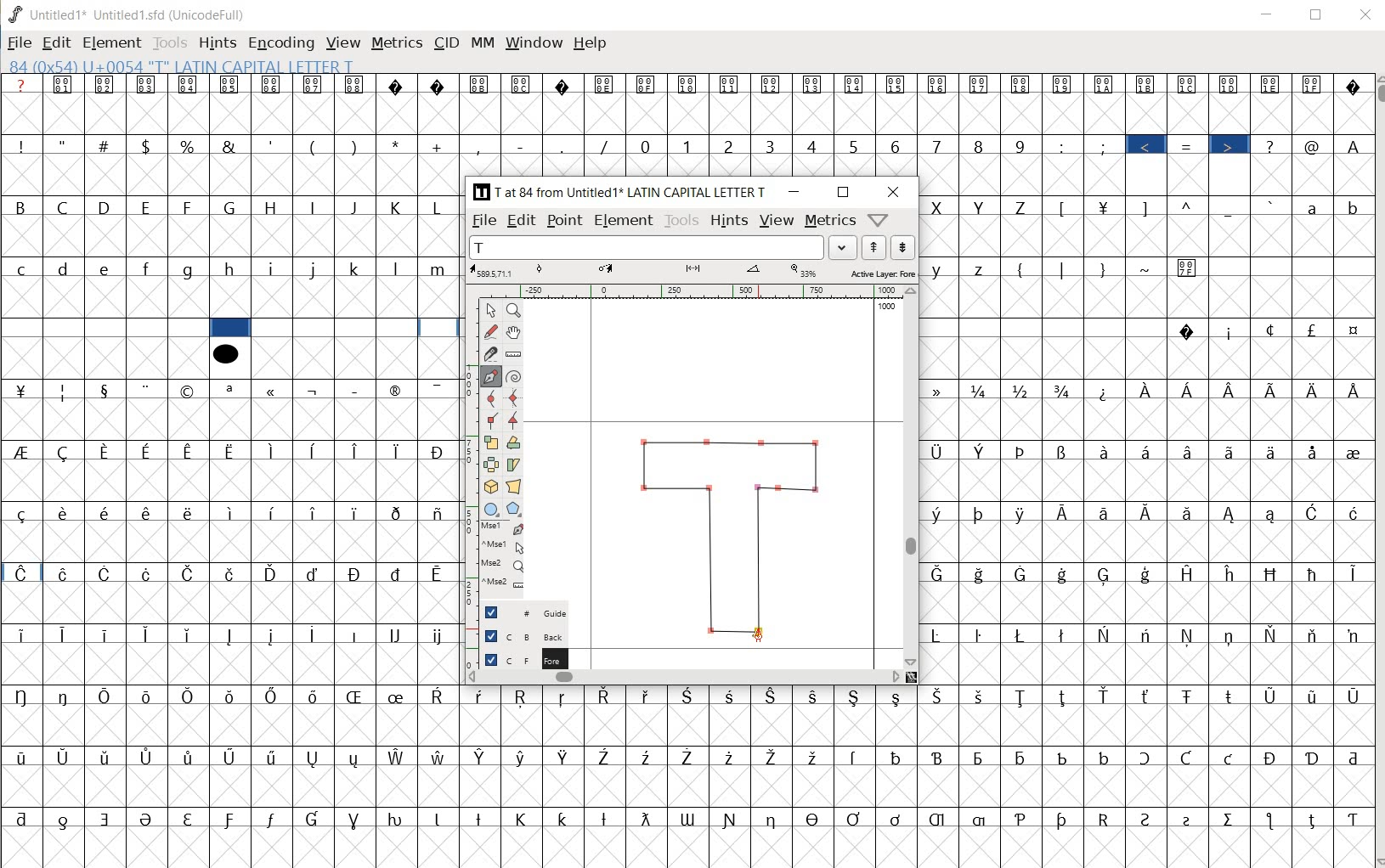 The height and width of the screenshot is (868, 1385). Describe the element at coordinates (21, 268) in the screenshot. I see `c` at that location.